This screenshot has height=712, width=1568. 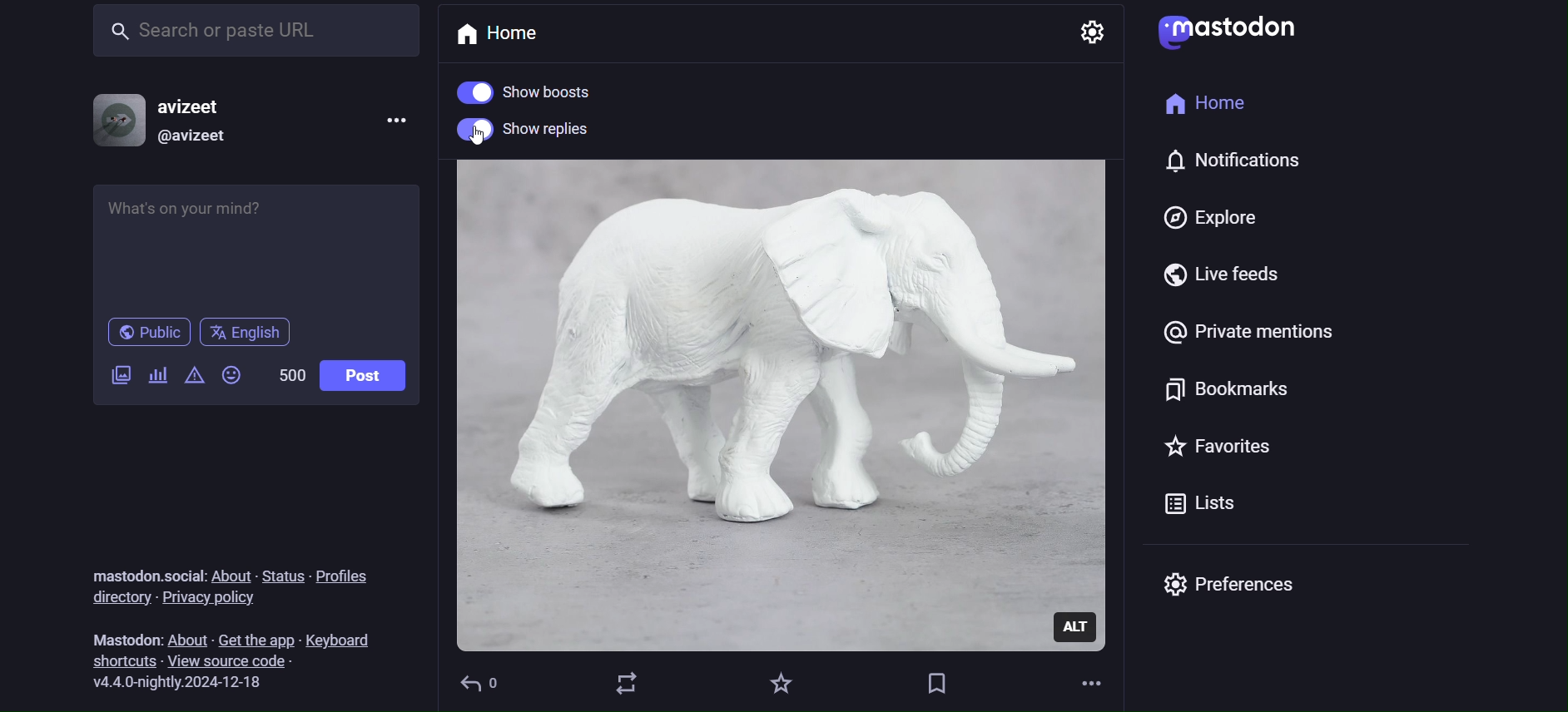 What do you see at coordinates (1229, 33) in the screenshot?
I see `logo` at bounding box center [1229, 33].